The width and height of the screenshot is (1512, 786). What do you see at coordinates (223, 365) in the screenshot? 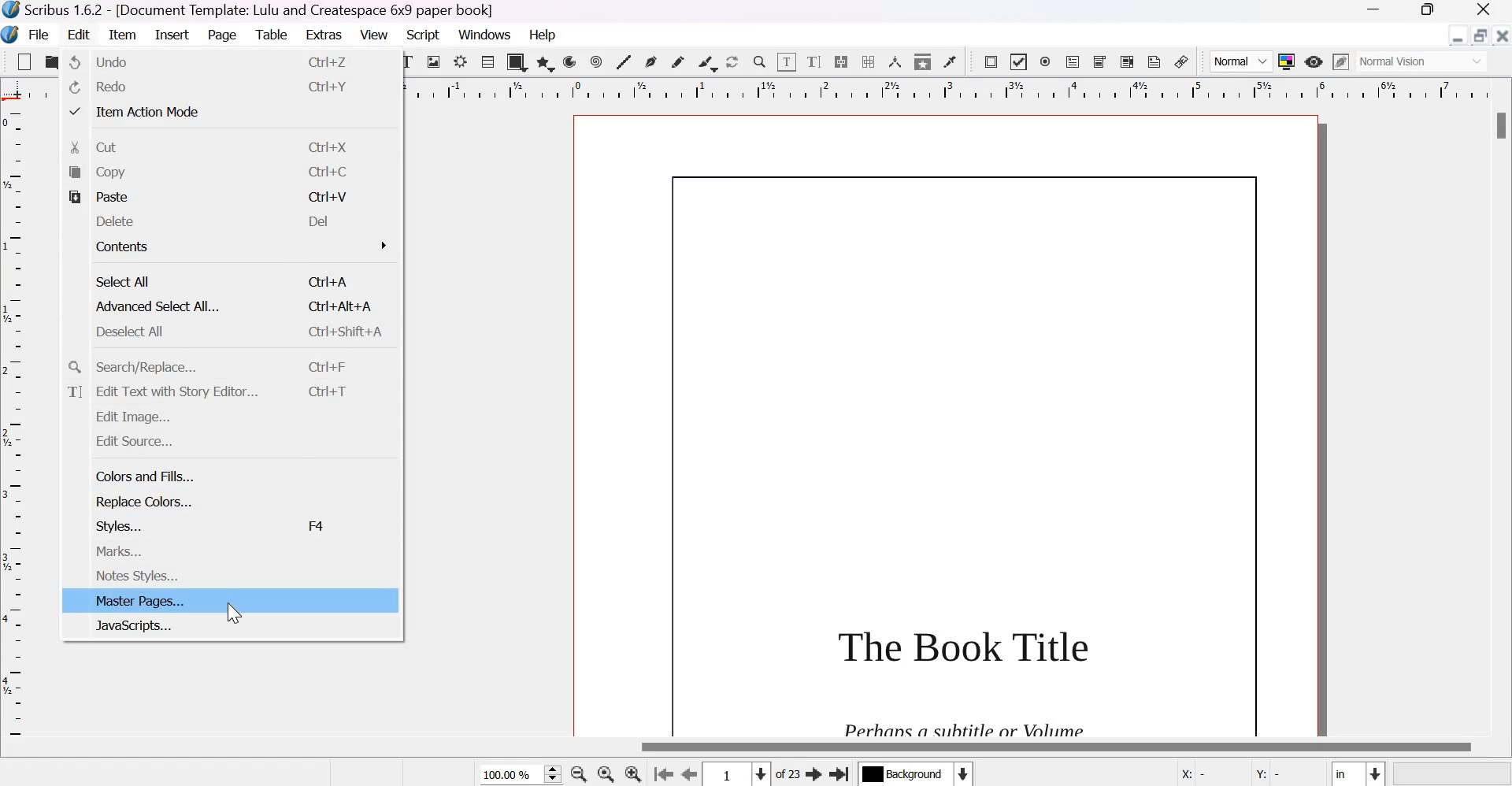
I see `search/replace...` at bounding box center [223, 365].